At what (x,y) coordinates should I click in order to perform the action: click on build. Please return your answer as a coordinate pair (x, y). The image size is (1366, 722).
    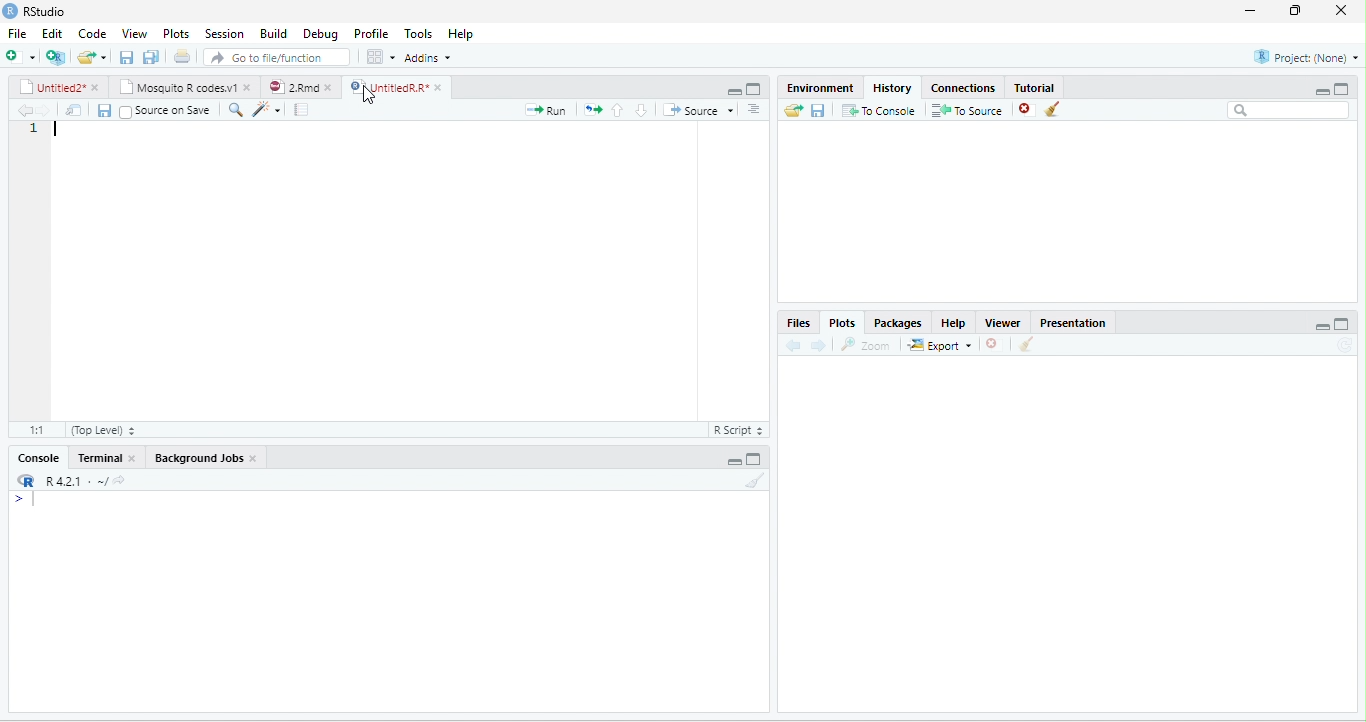
    Looking at the image, I should click on (273, 32).